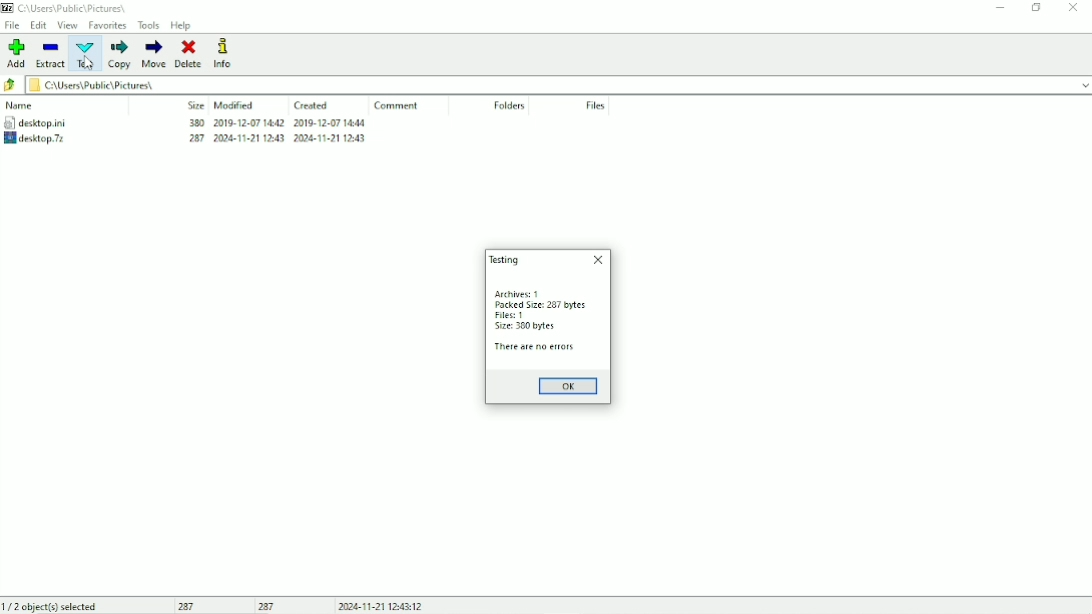  I want to click on 1, so click(525, 316).